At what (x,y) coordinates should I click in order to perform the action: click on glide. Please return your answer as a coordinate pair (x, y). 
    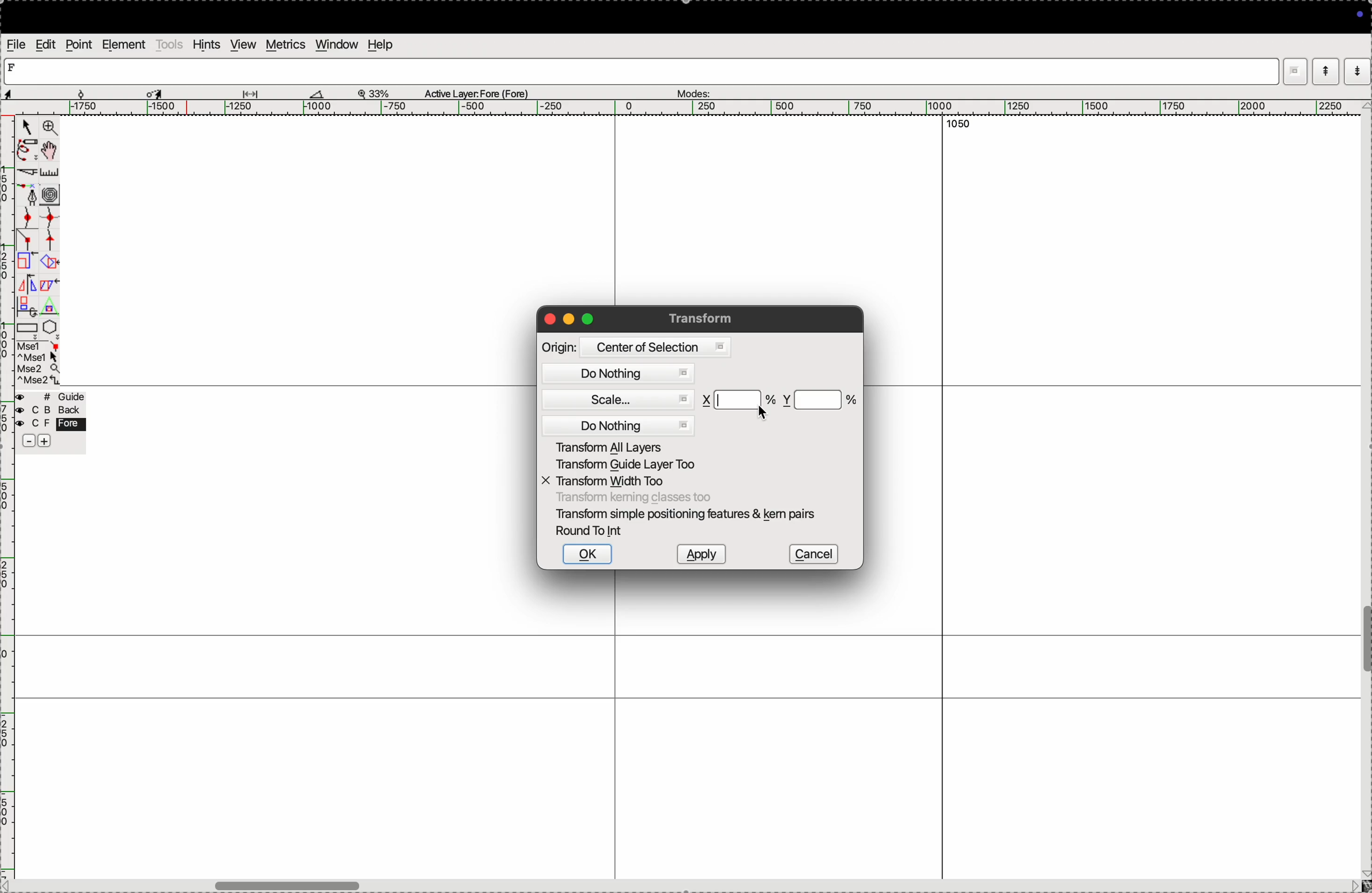
    Looking at the image, I should click on (254, 93).